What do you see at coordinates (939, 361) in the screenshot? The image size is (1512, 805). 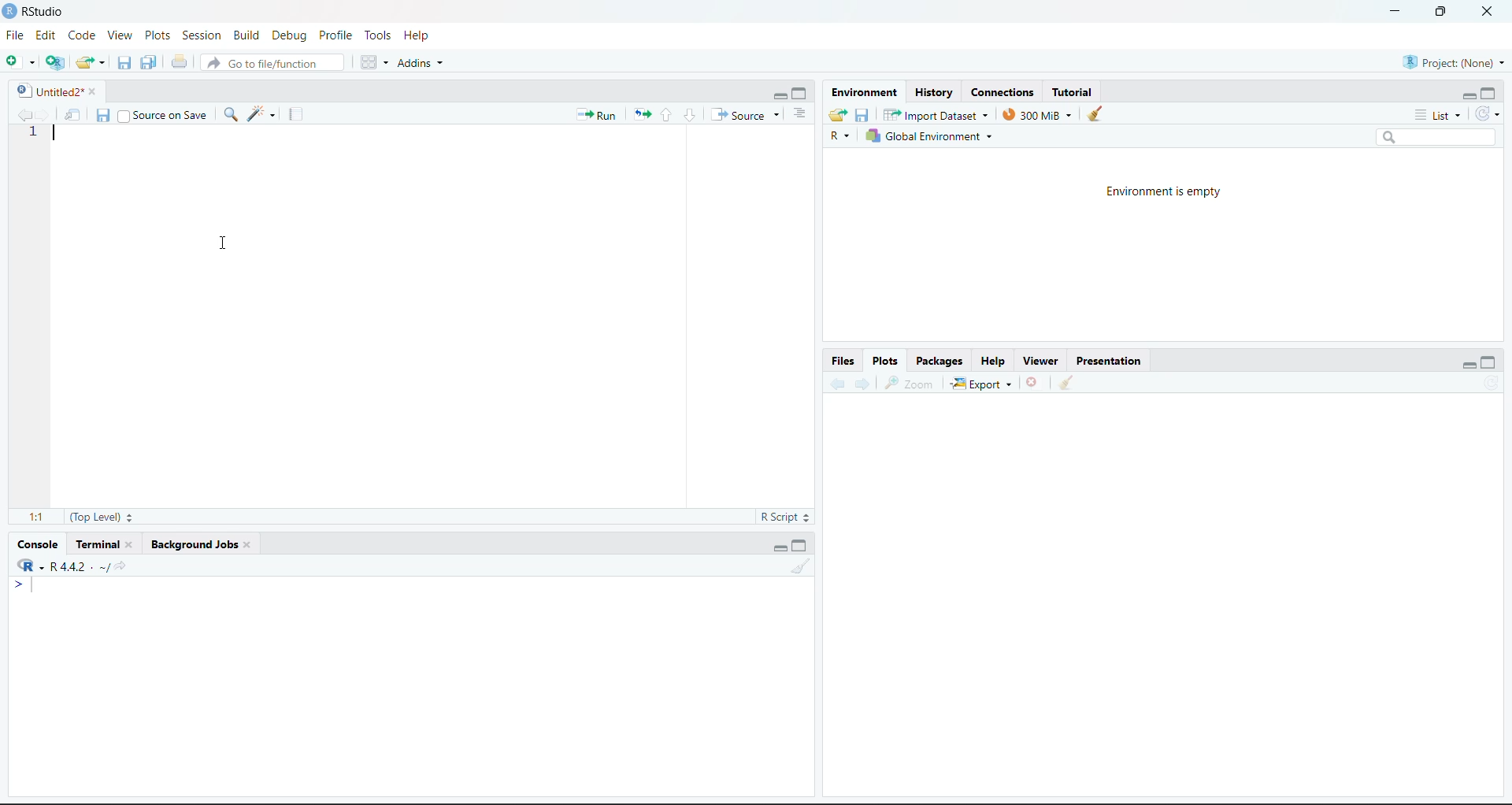 I see `Packages` at bounding box center [939, 361].